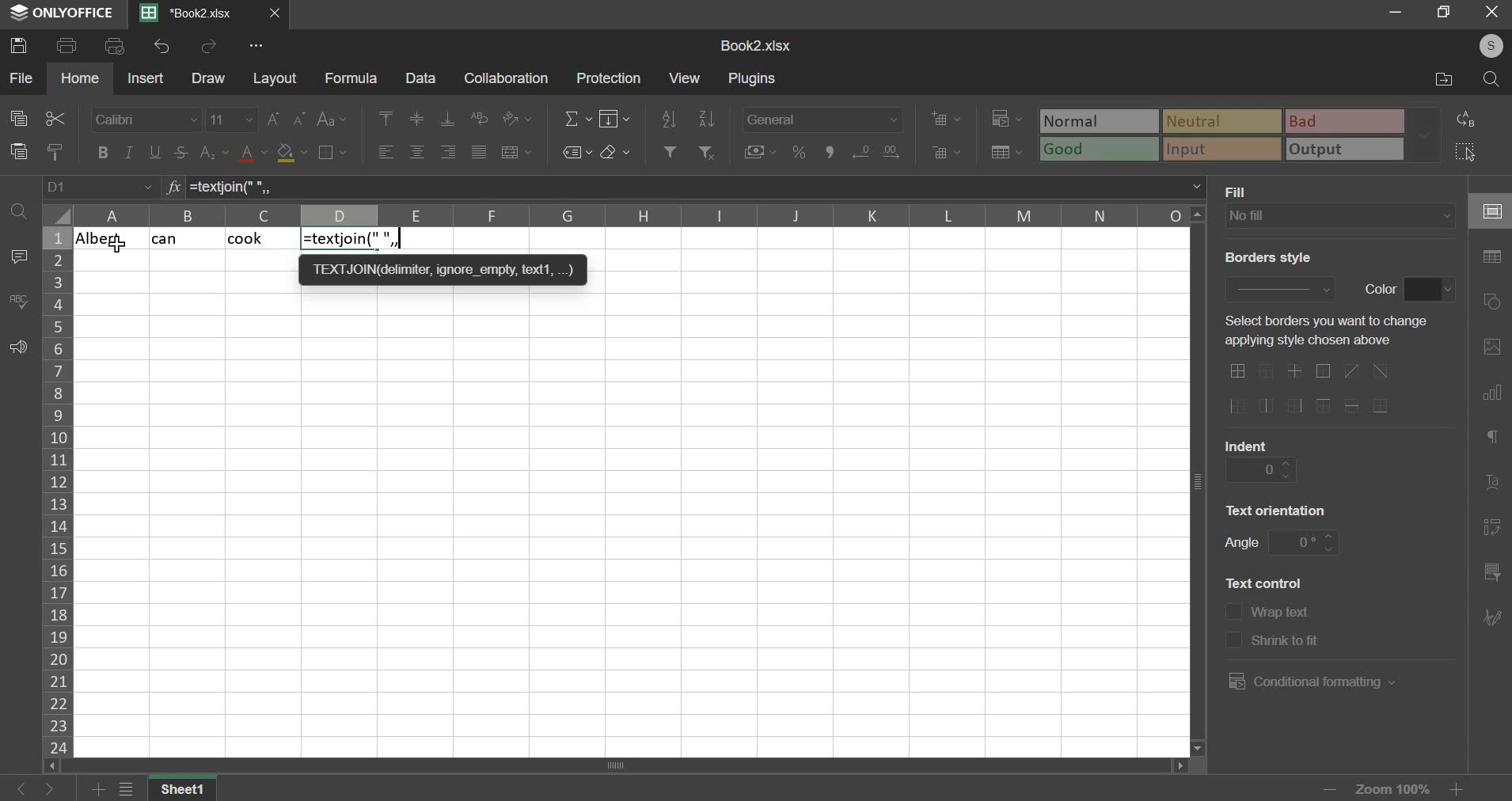  What do you see at coordinates (54, 119) in the screenshot?
I see `cut` at bounding box center [54, 119].